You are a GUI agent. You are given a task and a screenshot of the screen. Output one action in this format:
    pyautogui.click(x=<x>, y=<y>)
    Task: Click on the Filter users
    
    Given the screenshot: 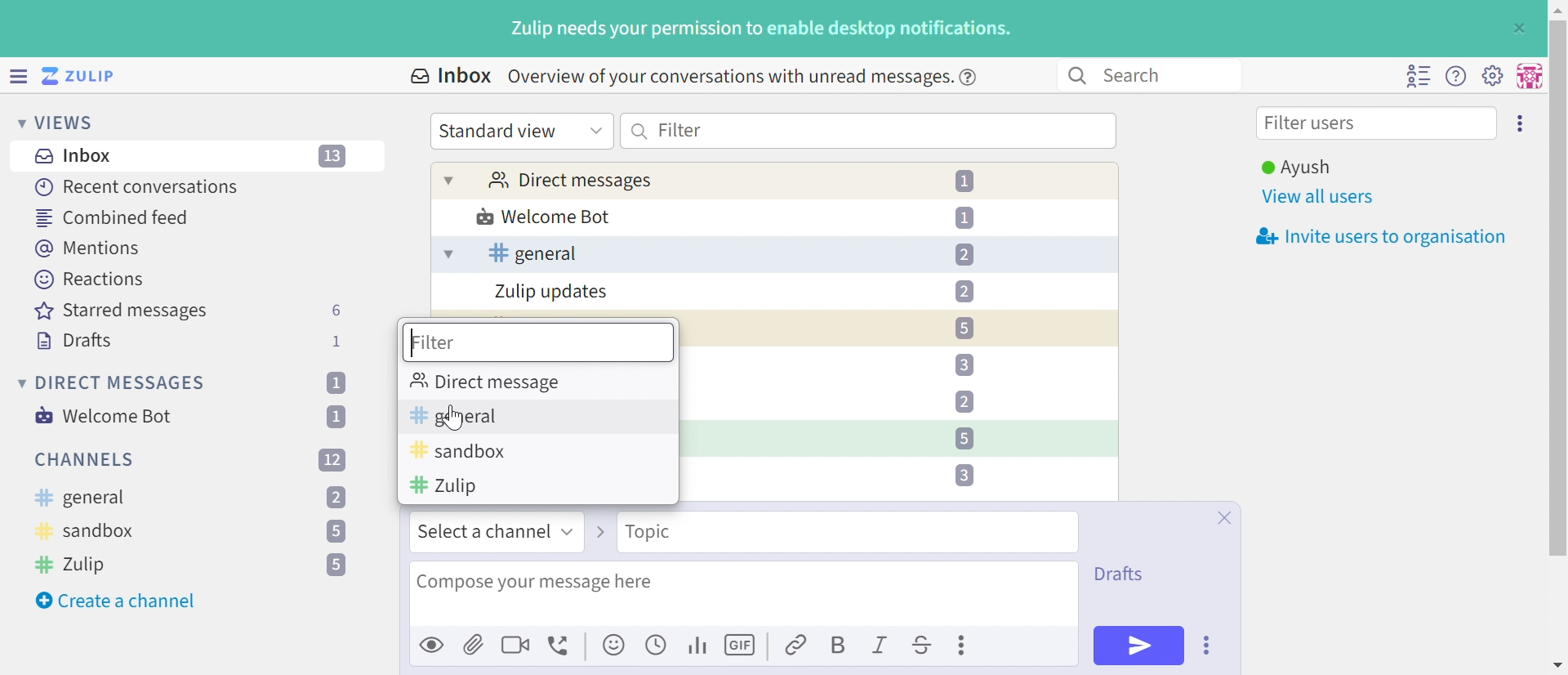 What is the action you would take?
    pyautogui.click(x=1314, y=125)
    